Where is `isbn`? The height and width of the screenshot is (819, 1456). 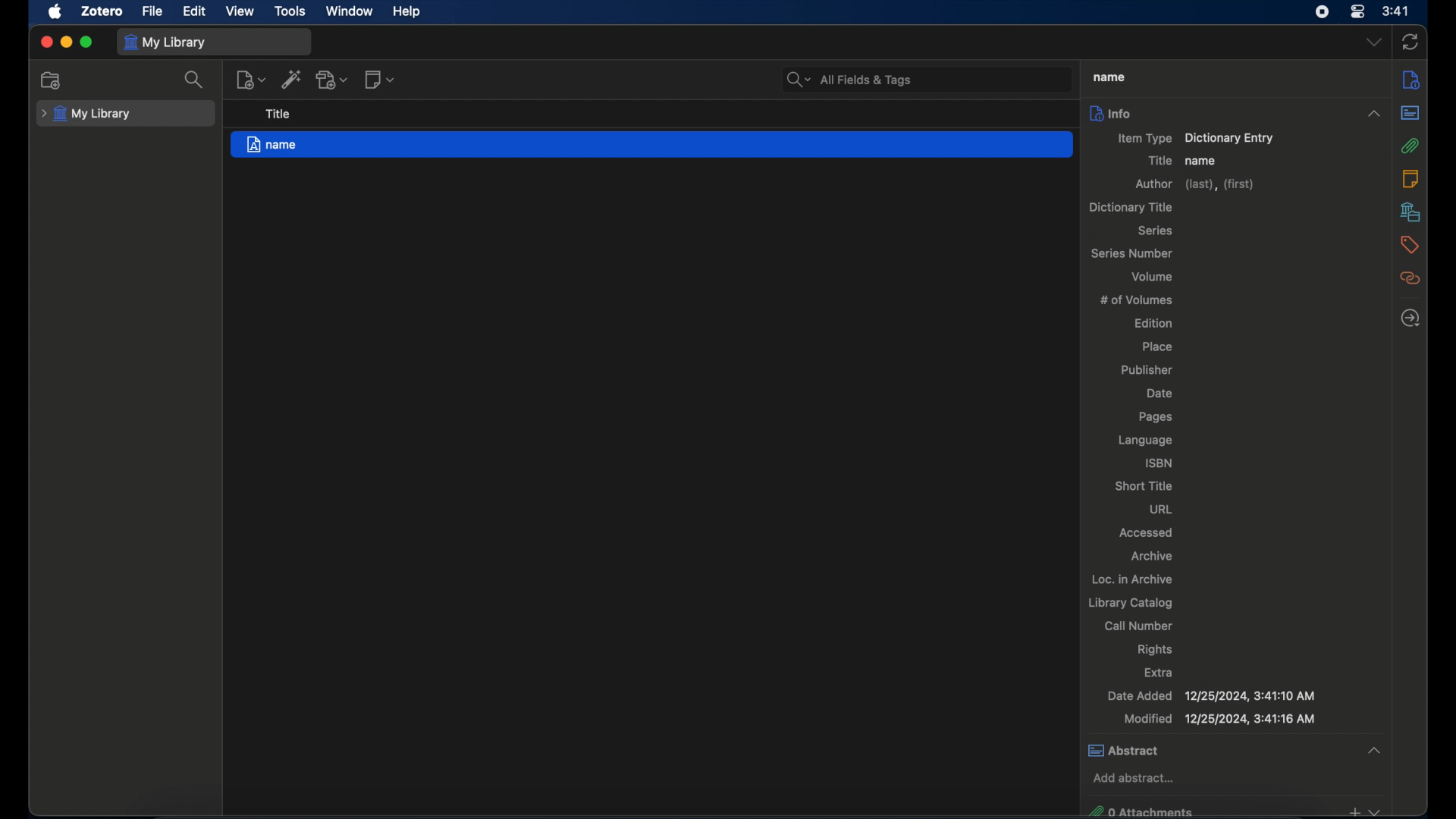
isbn is located at coordinates (1160, 463).